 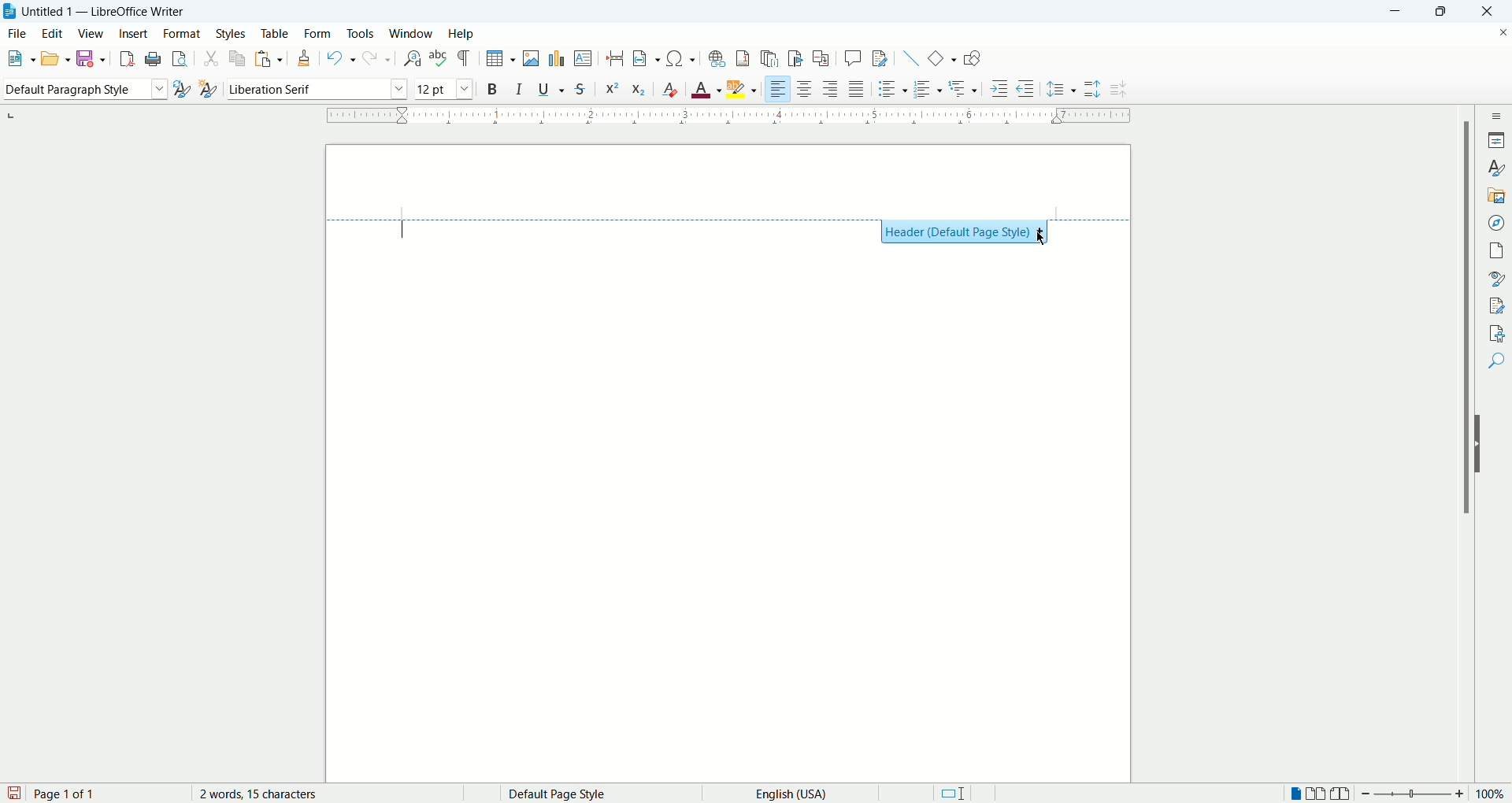 I want to click on page count, so click(x=111, y=793).